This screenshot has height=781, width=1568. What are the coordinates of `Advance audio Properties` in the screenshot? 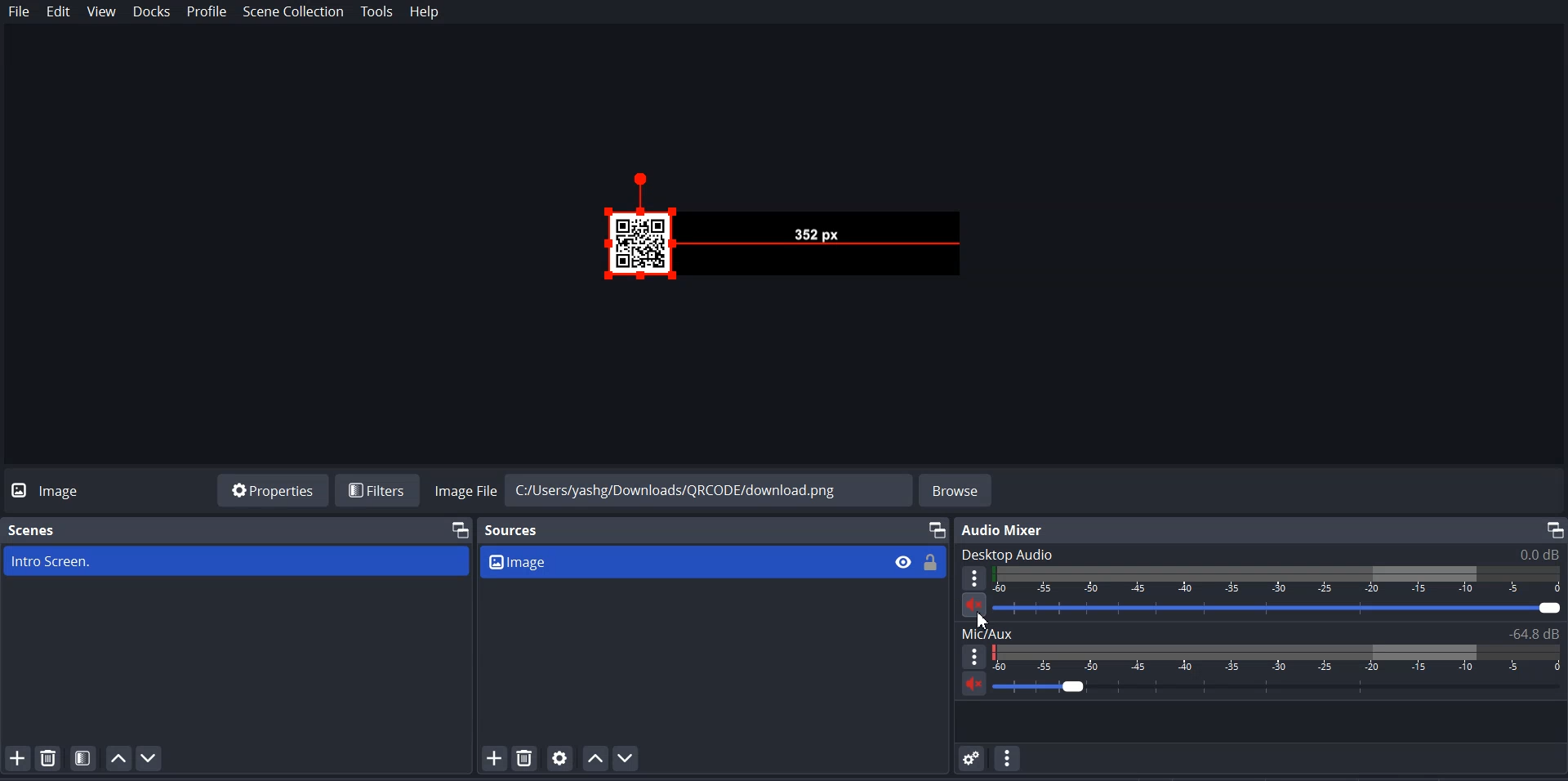 It's located at (973, 757).